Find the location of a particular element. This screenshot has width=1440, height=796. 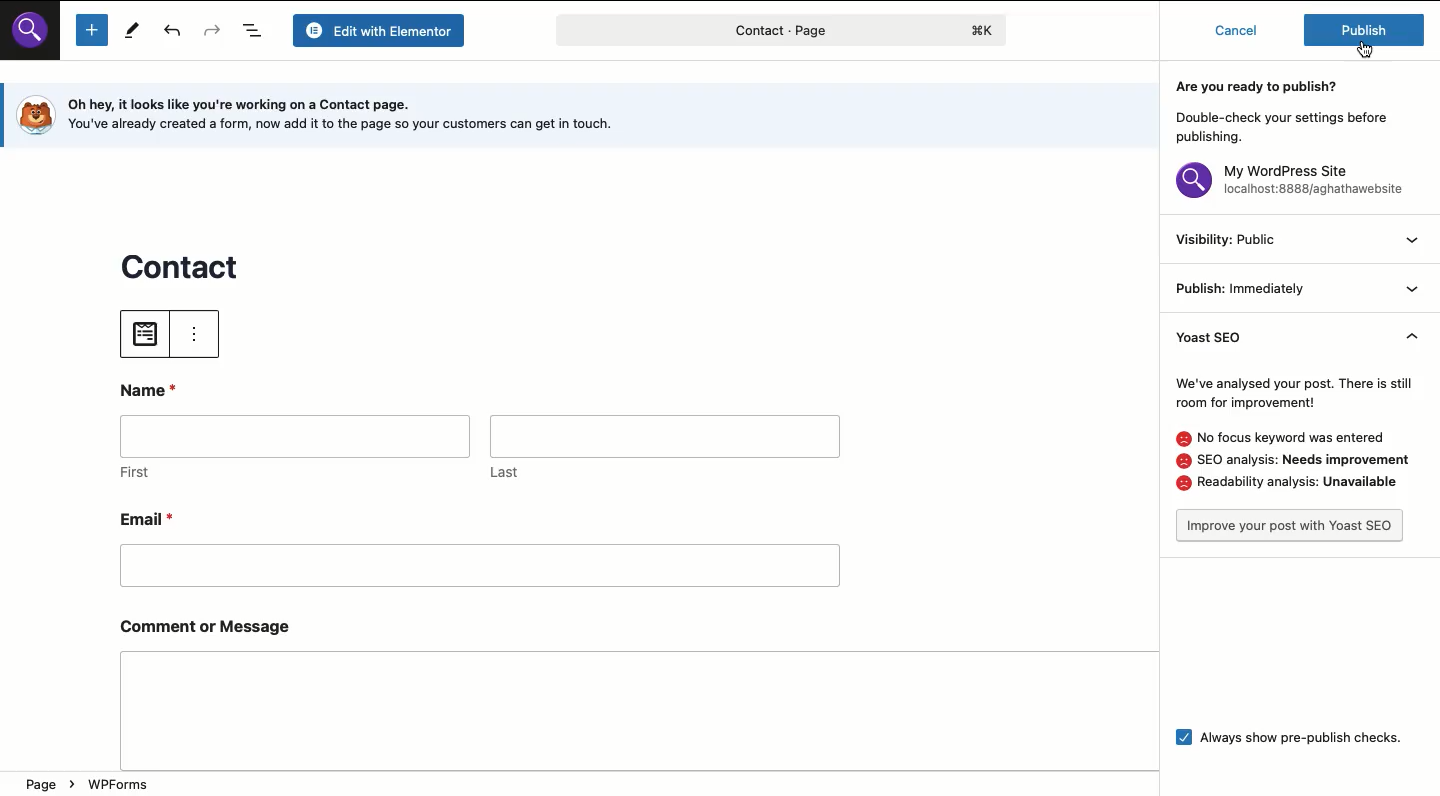

Page > WPForms is located at coordinates (90, 785).